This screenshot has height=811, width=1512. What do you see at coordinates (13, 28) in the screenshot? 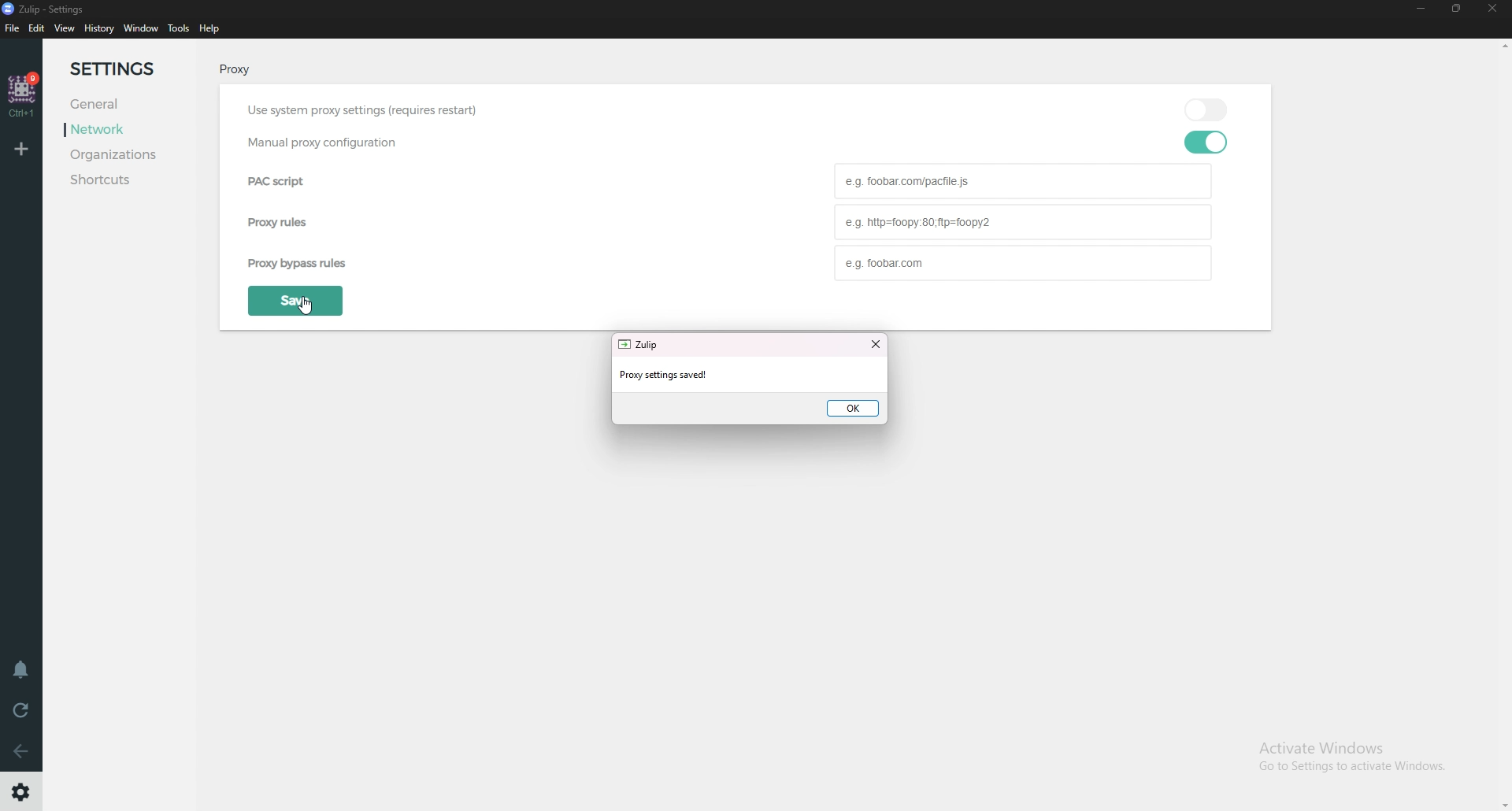
I see `file` at bounding box center [13, 28].